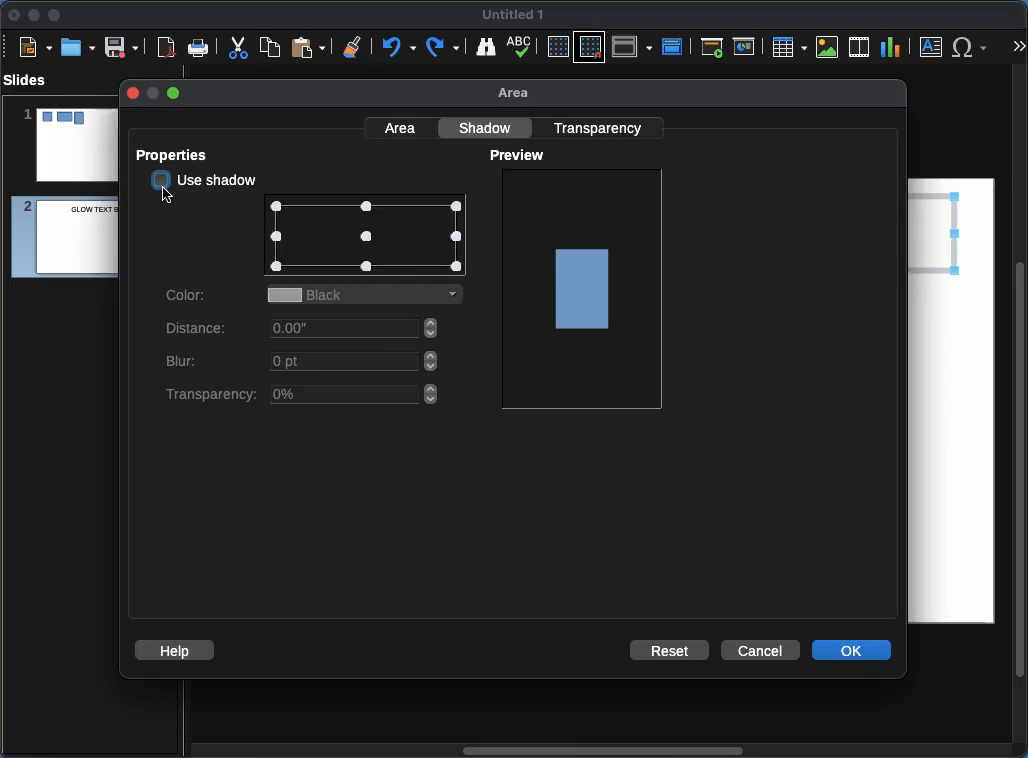  I want to click on Points, so click(367, 238).